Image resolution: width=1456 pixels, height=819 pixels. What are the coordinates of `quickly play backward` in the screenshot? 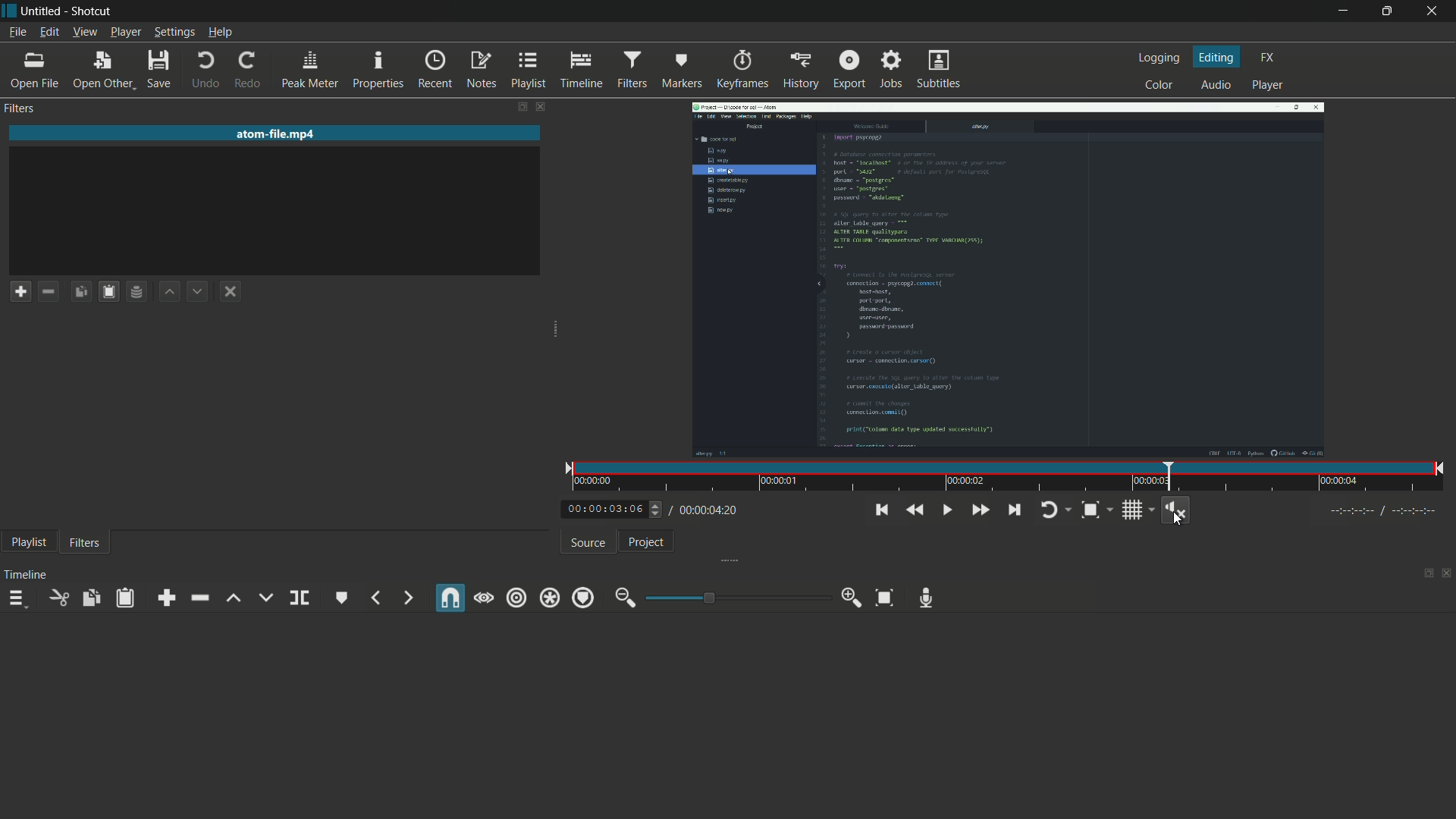 It's located at (914, 510).